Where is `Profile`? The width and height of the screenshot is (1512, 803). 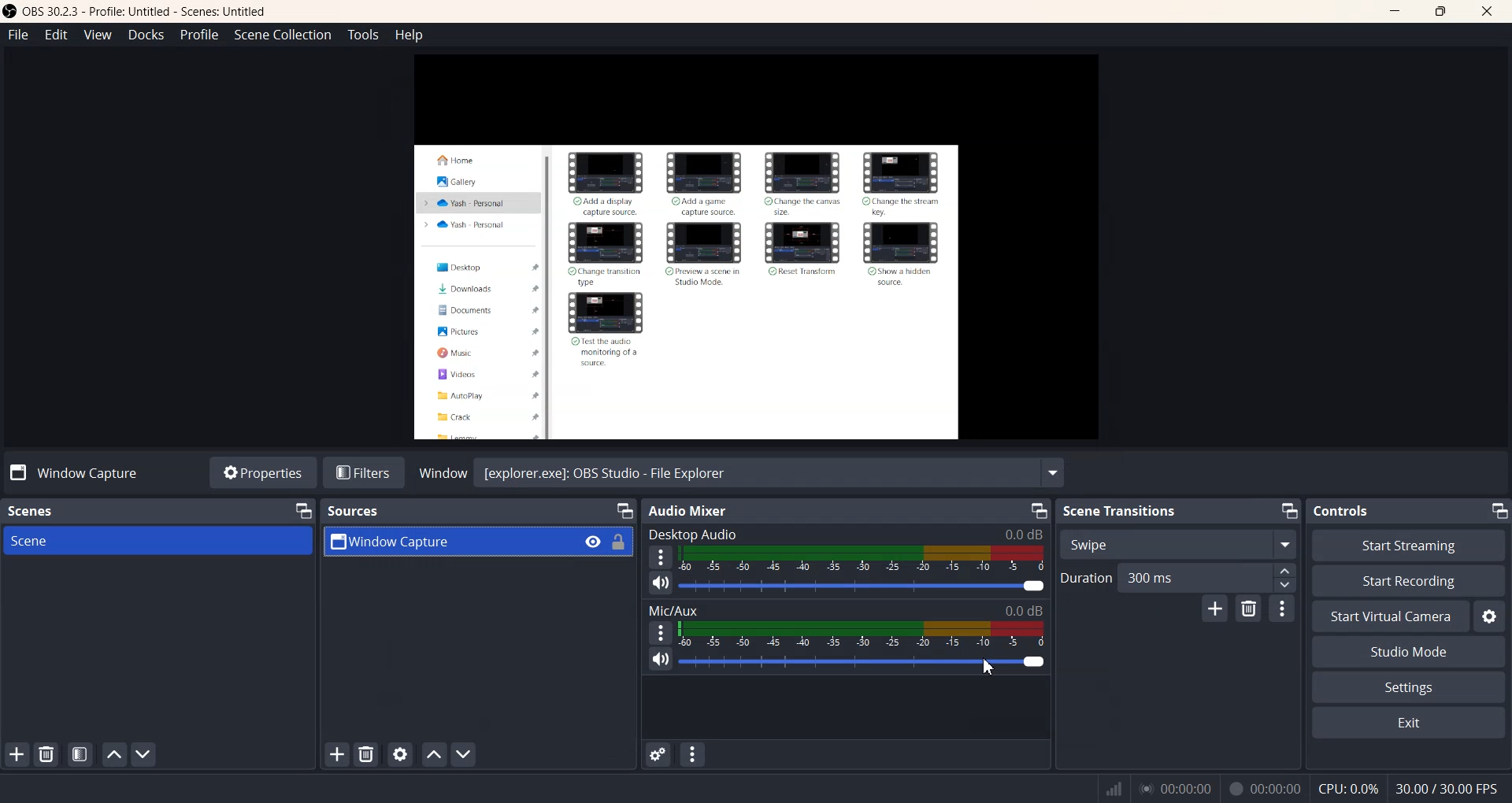 Profile is located at coordinates (199, 34).